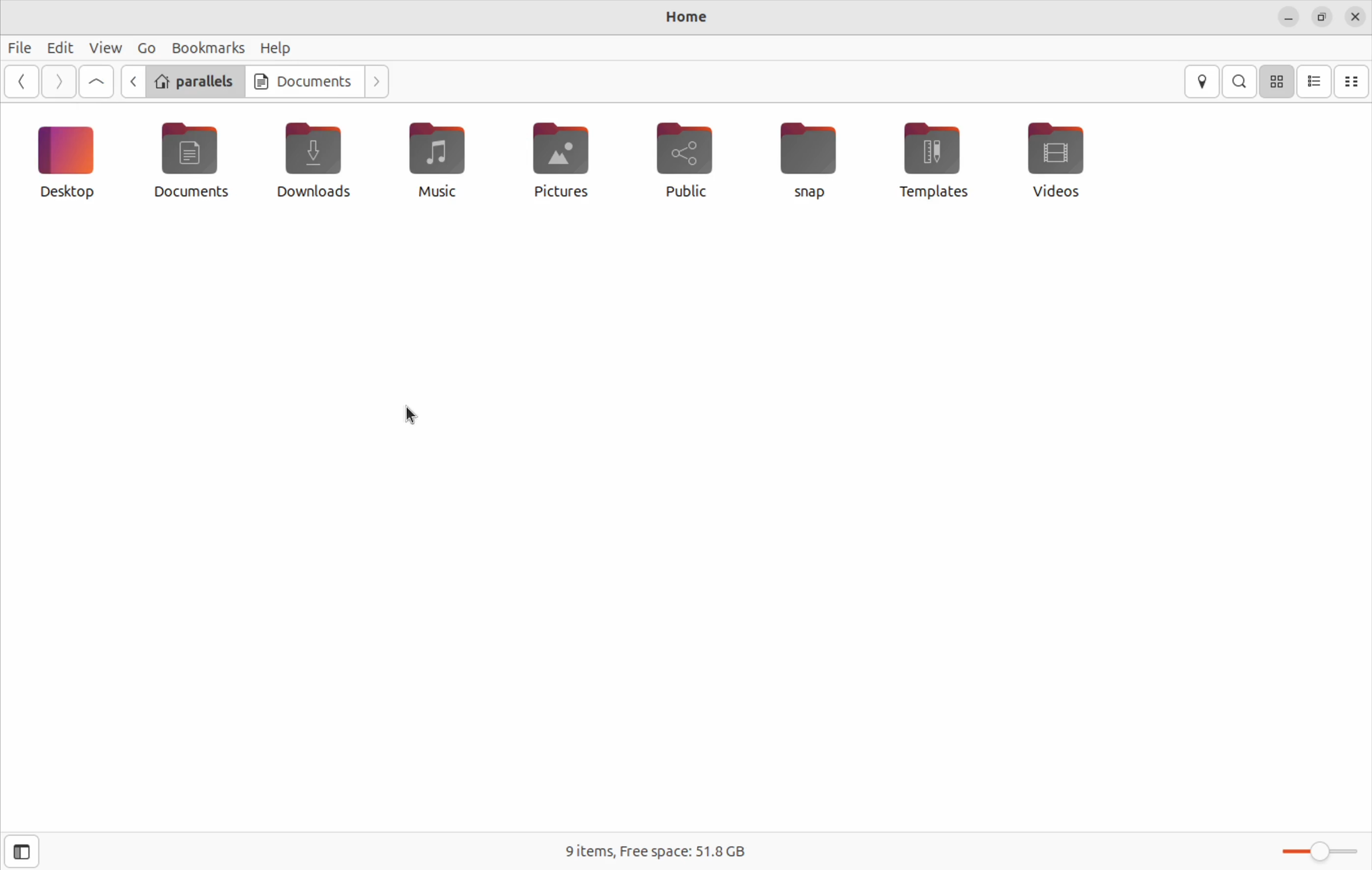 The width and height of the screenshot is (1372, 870). I want to click on snap file, so click(813, 161).